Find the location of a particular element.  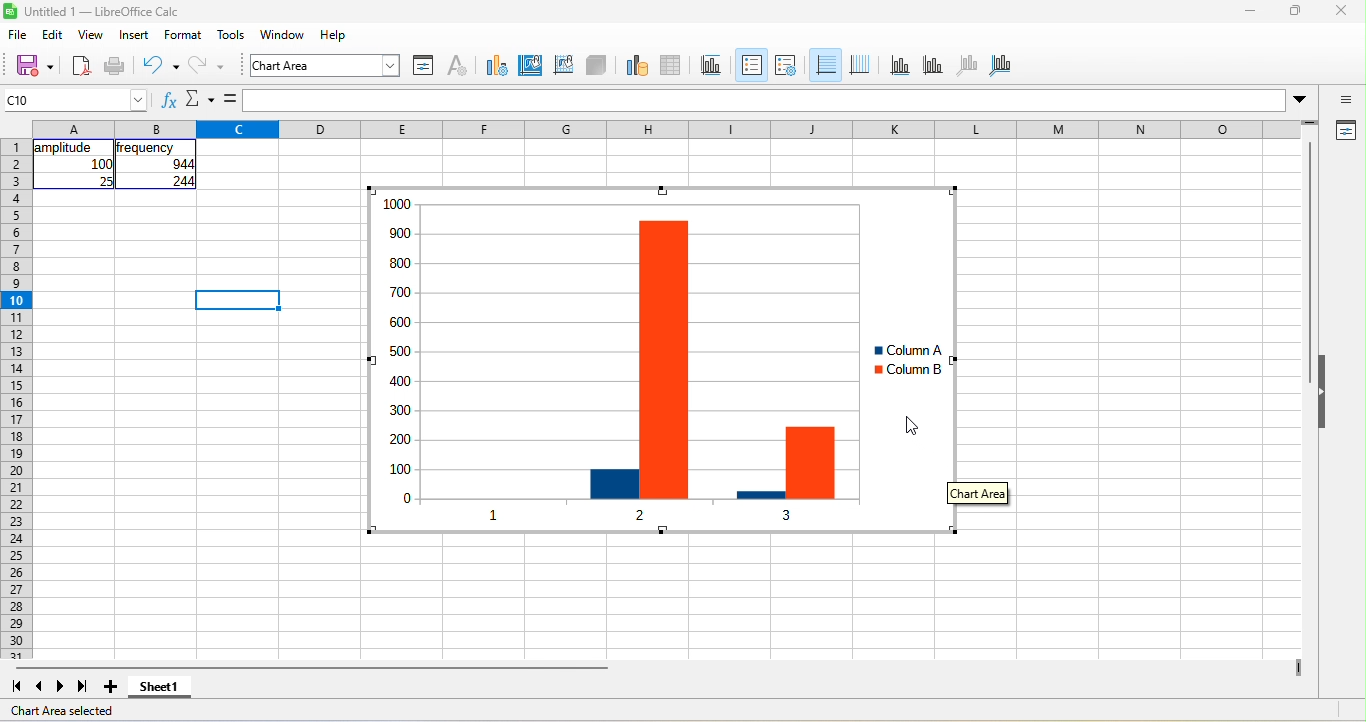

sidebar settings is located at coordinates (1344, 99).